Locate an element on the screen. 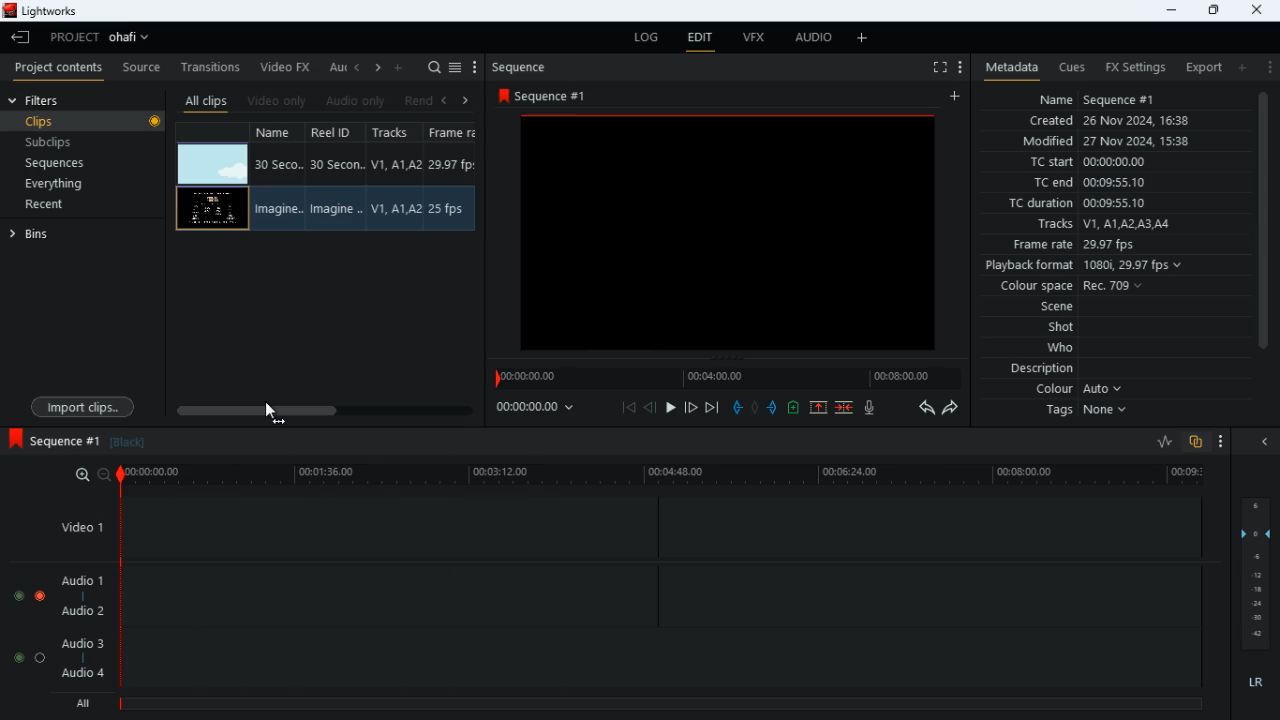 Image resolution: width=1280 pixels, height=720 pixels. video fx is located at coordinates (287, 66).